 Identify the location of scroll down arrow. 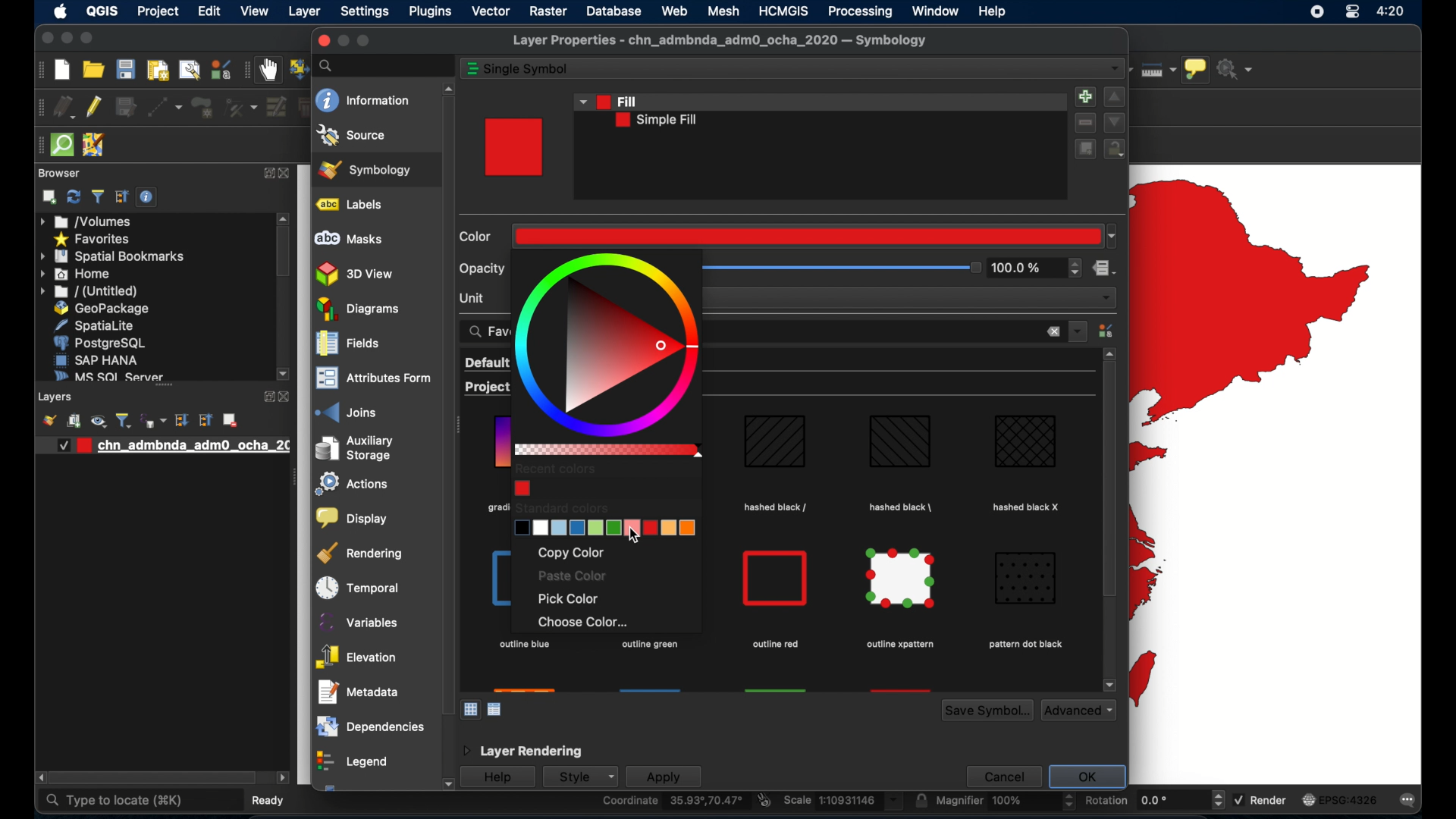
(1109, 685).